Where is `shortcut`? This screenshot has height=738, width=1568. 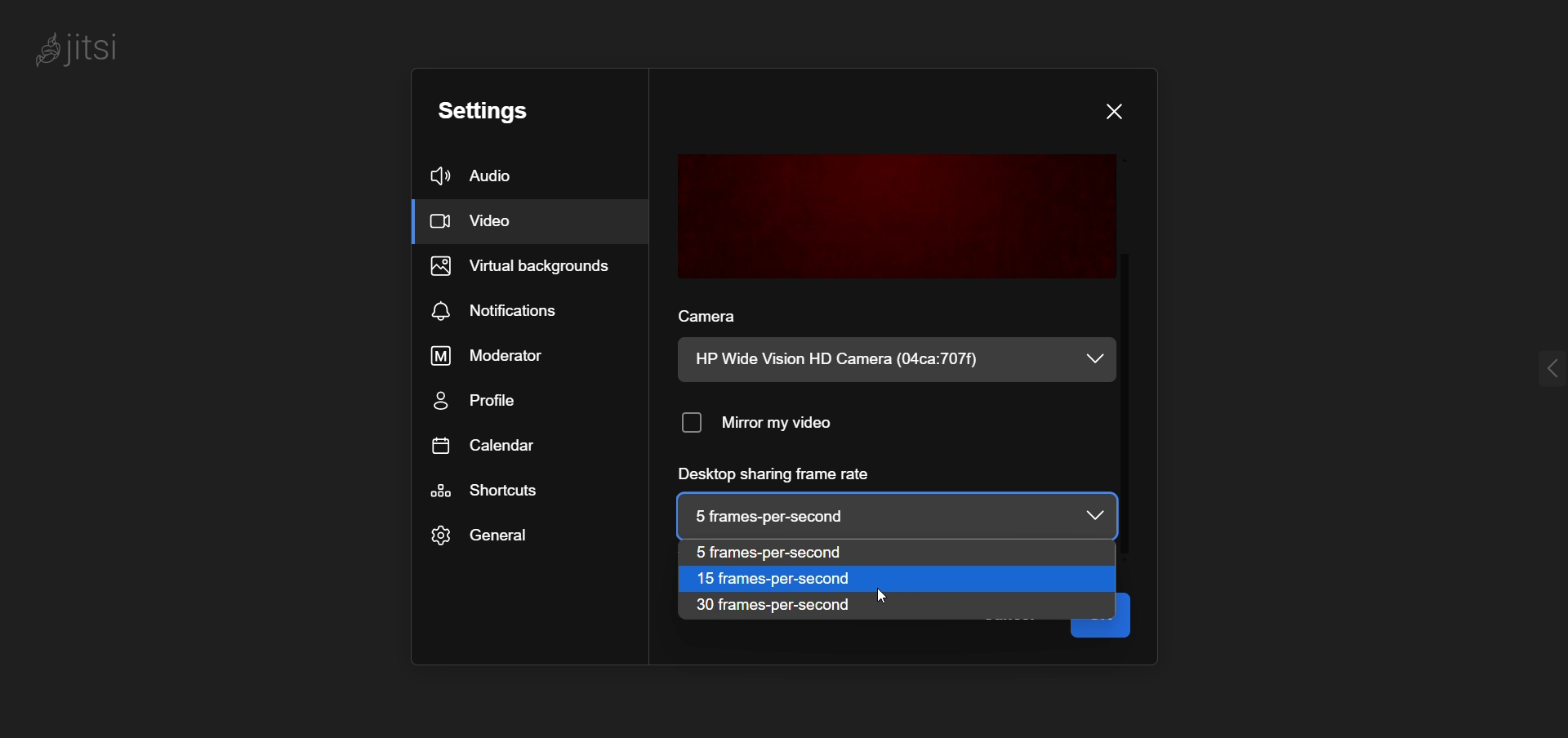 shortcut is located at coordinates (488, 491).